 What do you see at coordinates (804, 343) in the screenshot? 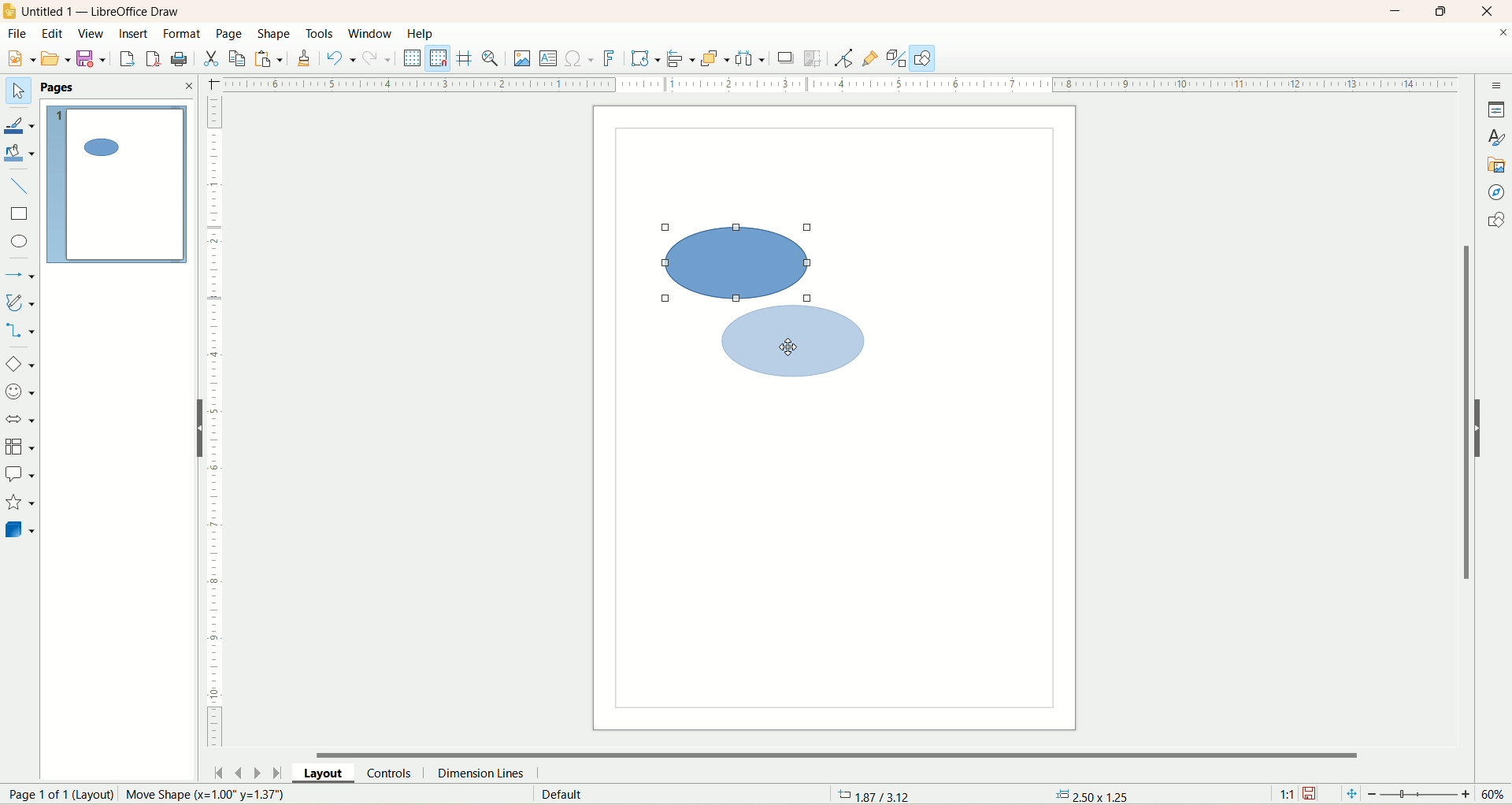
I see `shape` at bounding box center [804, 343].